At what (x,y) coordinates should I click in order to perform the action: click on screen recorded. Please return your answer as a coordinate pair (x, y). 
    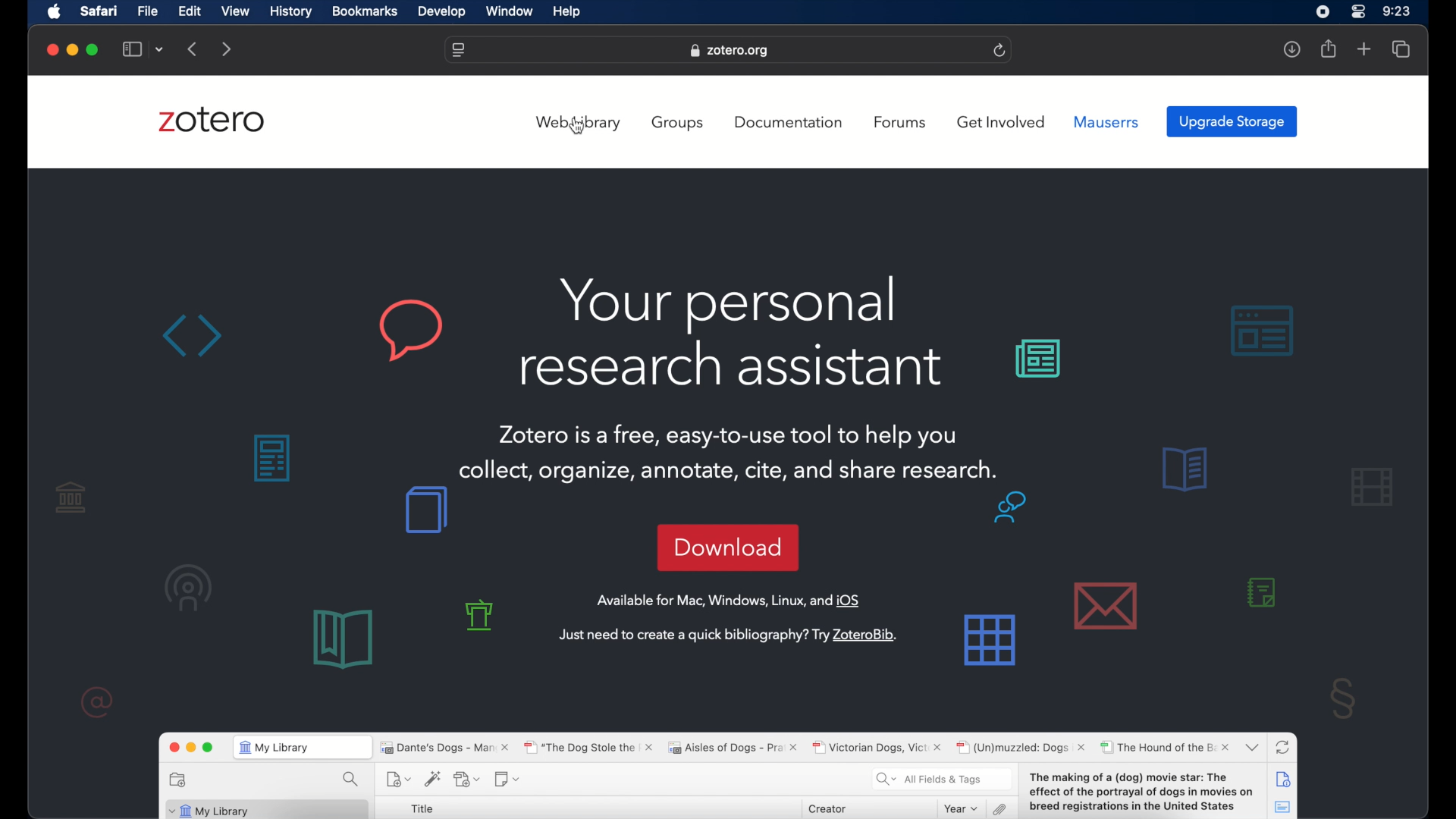
    Looking at the image, I should click on (1323, 11).